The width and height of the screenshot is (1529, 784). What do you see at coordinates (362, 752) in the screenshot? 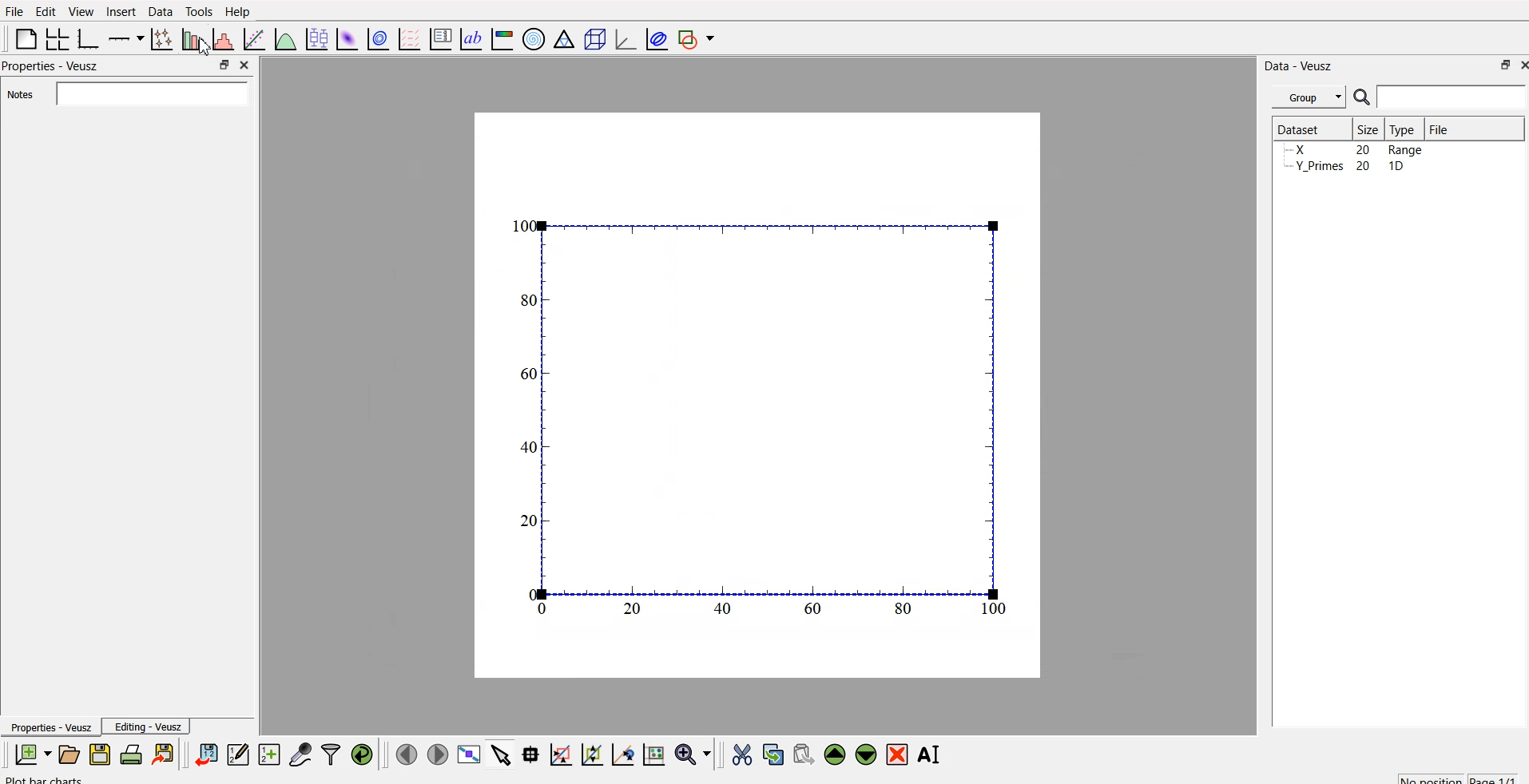
I see `reload linked dataset` at bounding box center [362, 752].